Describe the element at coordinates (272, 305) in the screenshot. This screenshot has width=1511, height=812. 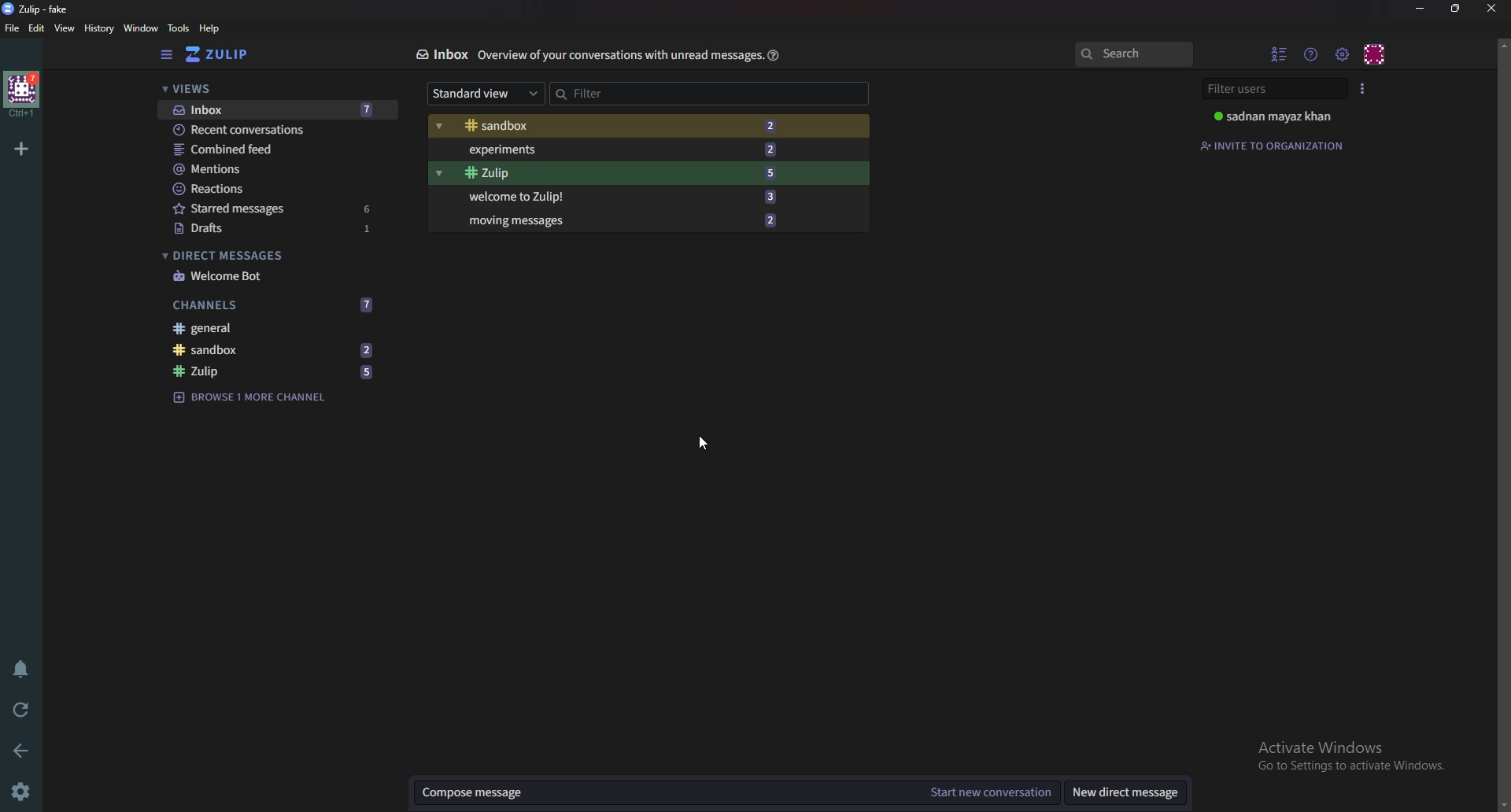
I see `Channels 7` at that location.